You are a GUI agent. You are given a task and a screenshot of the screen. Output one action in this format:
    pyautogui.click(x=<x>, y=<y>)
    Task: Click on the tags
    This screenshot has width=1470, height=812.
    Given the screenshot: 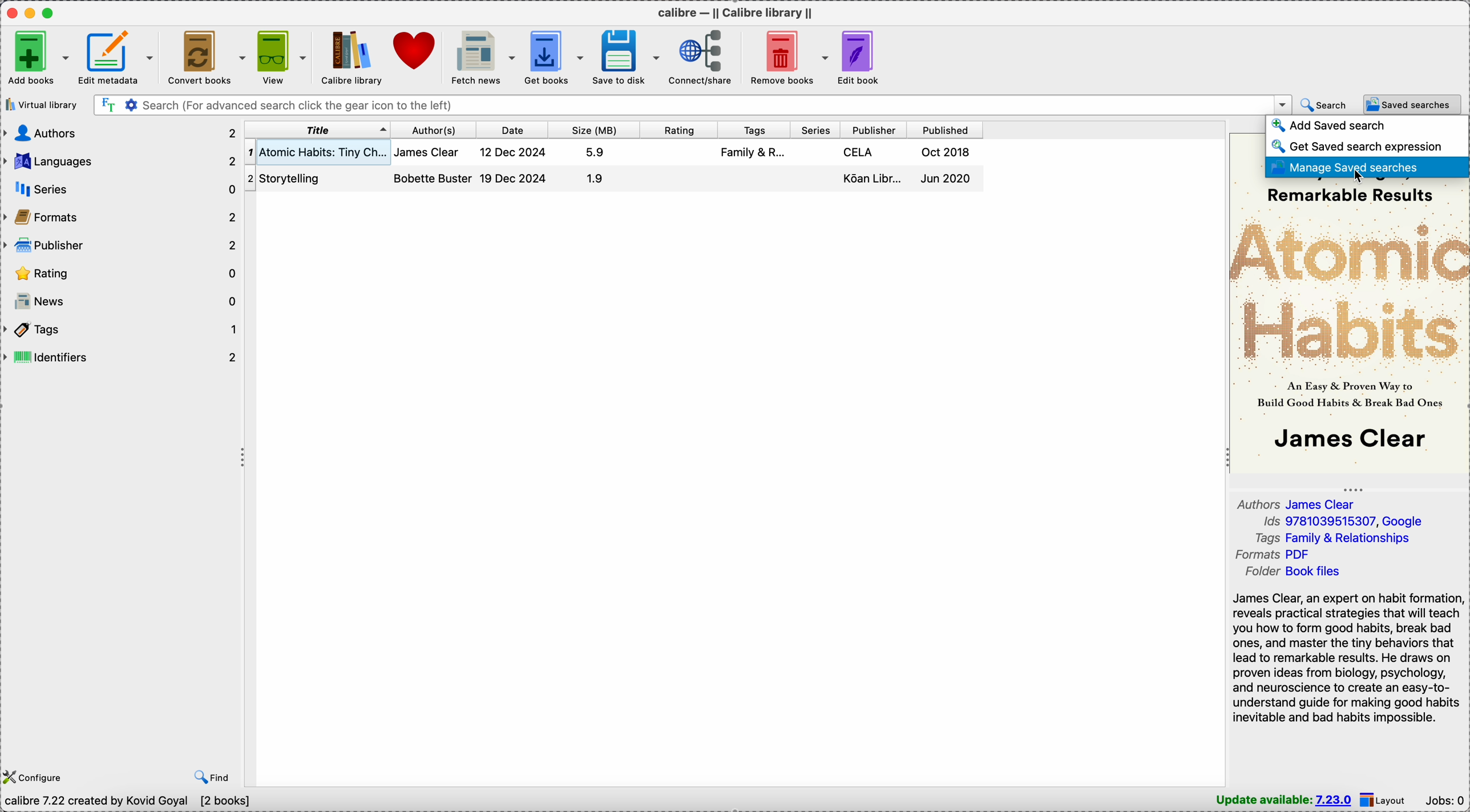 What is the action you would take?
    pyautogui.click(x=750, y=130)
    